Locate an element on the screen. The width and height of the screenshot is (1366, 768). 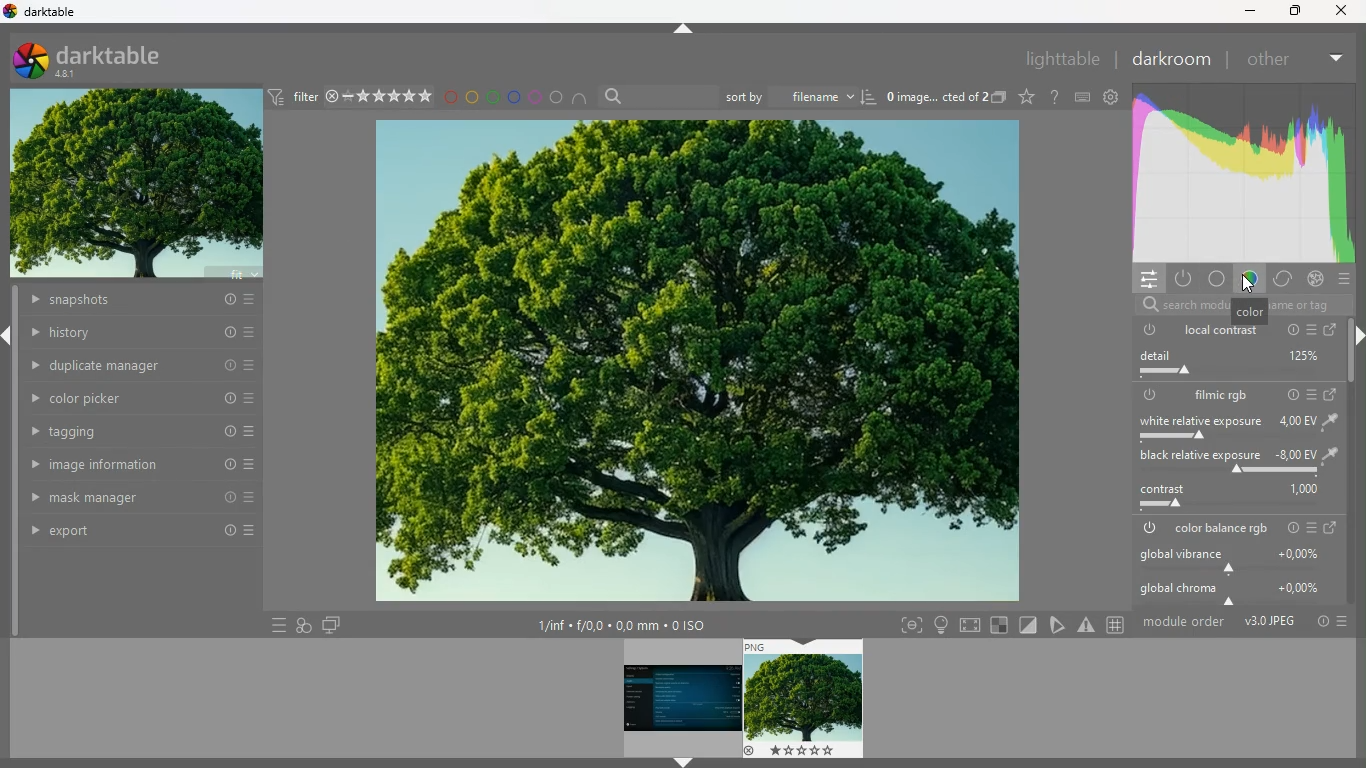
maximize is located at coordinates (1292, 10).